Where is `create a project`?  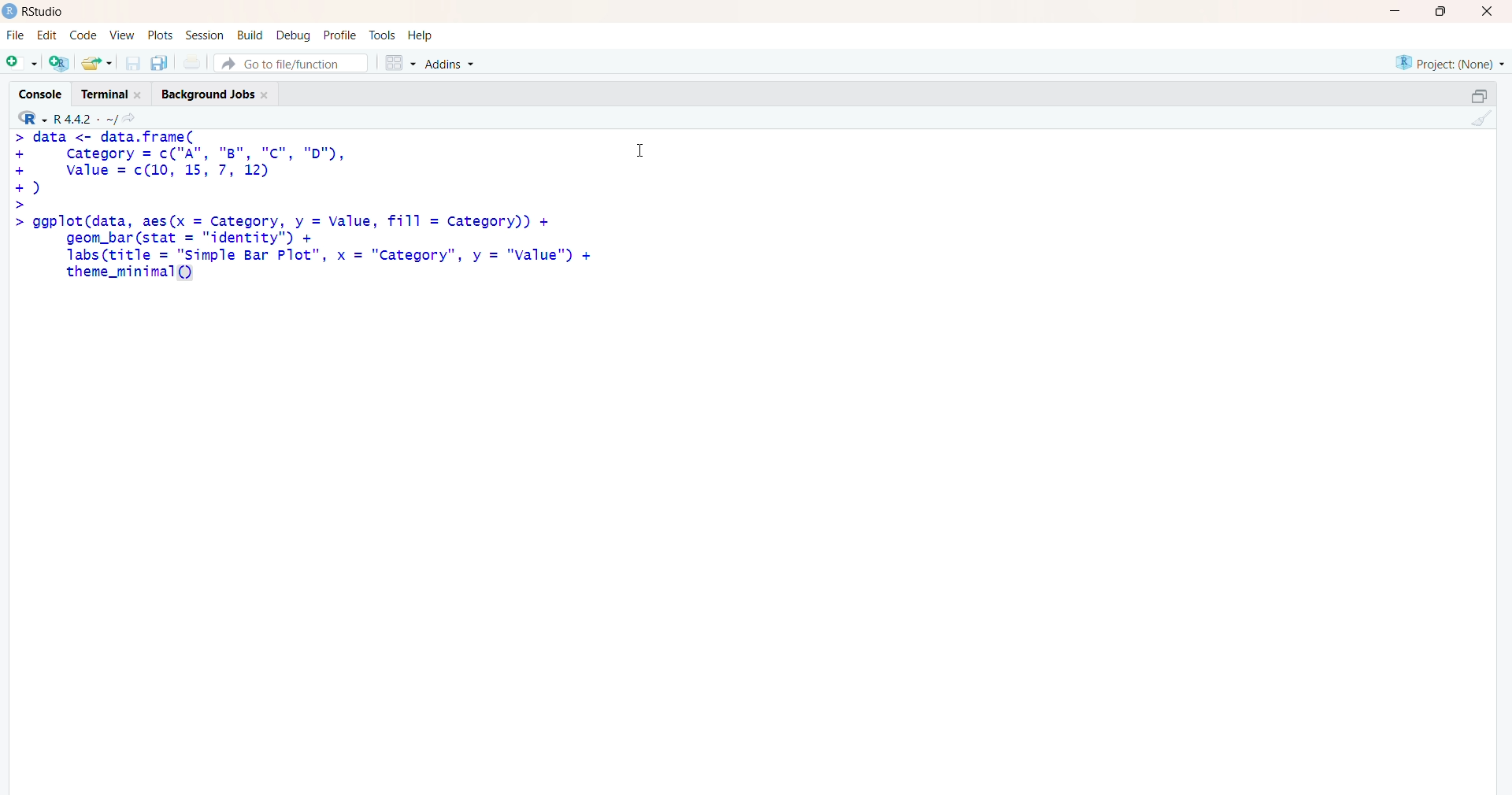 create a project is located at coordinates (58, 62).